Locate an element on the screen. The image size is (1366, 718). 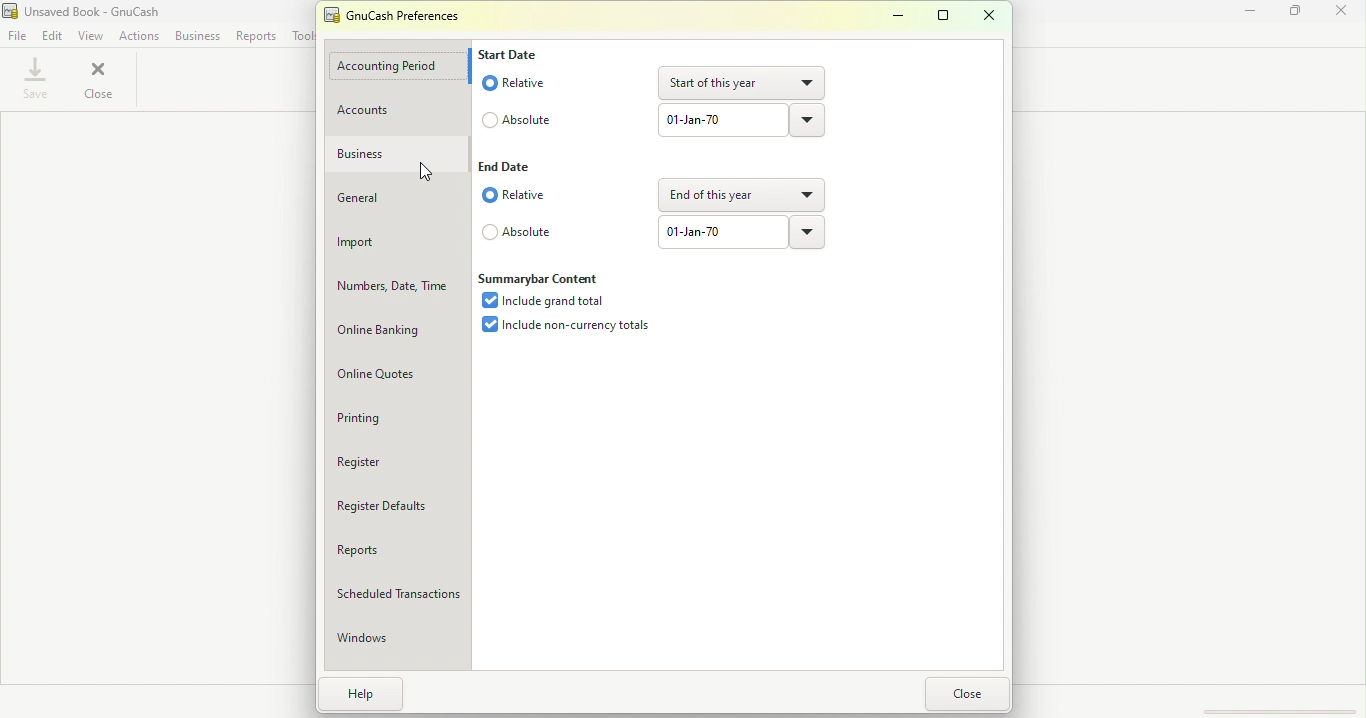
Drop down is located at coordinates (740, 82).